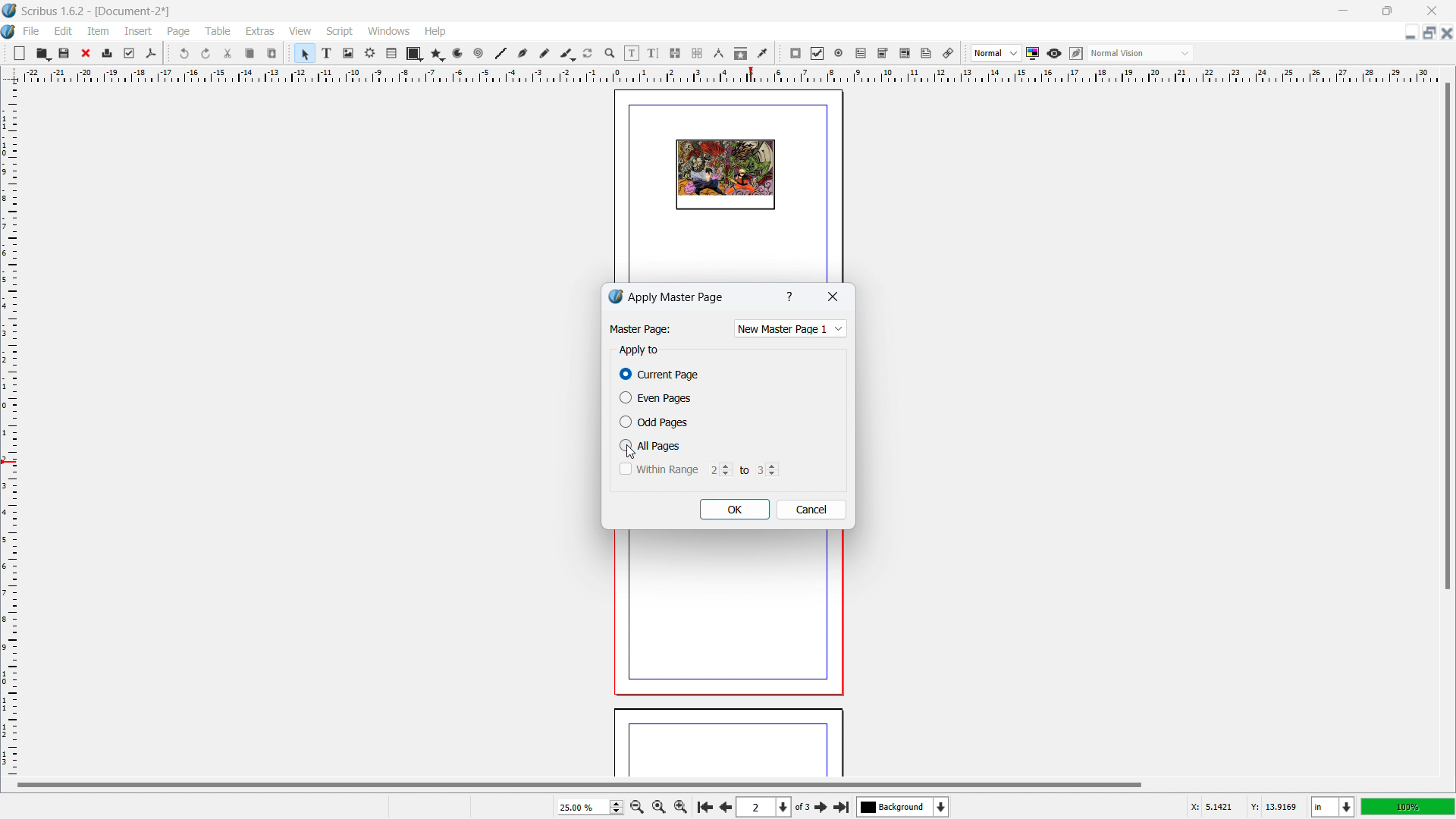  What do you see at coordinates (1075, 54) in the screenshot?
I see `edit in preview mode` at bounding box center [1075, 54].